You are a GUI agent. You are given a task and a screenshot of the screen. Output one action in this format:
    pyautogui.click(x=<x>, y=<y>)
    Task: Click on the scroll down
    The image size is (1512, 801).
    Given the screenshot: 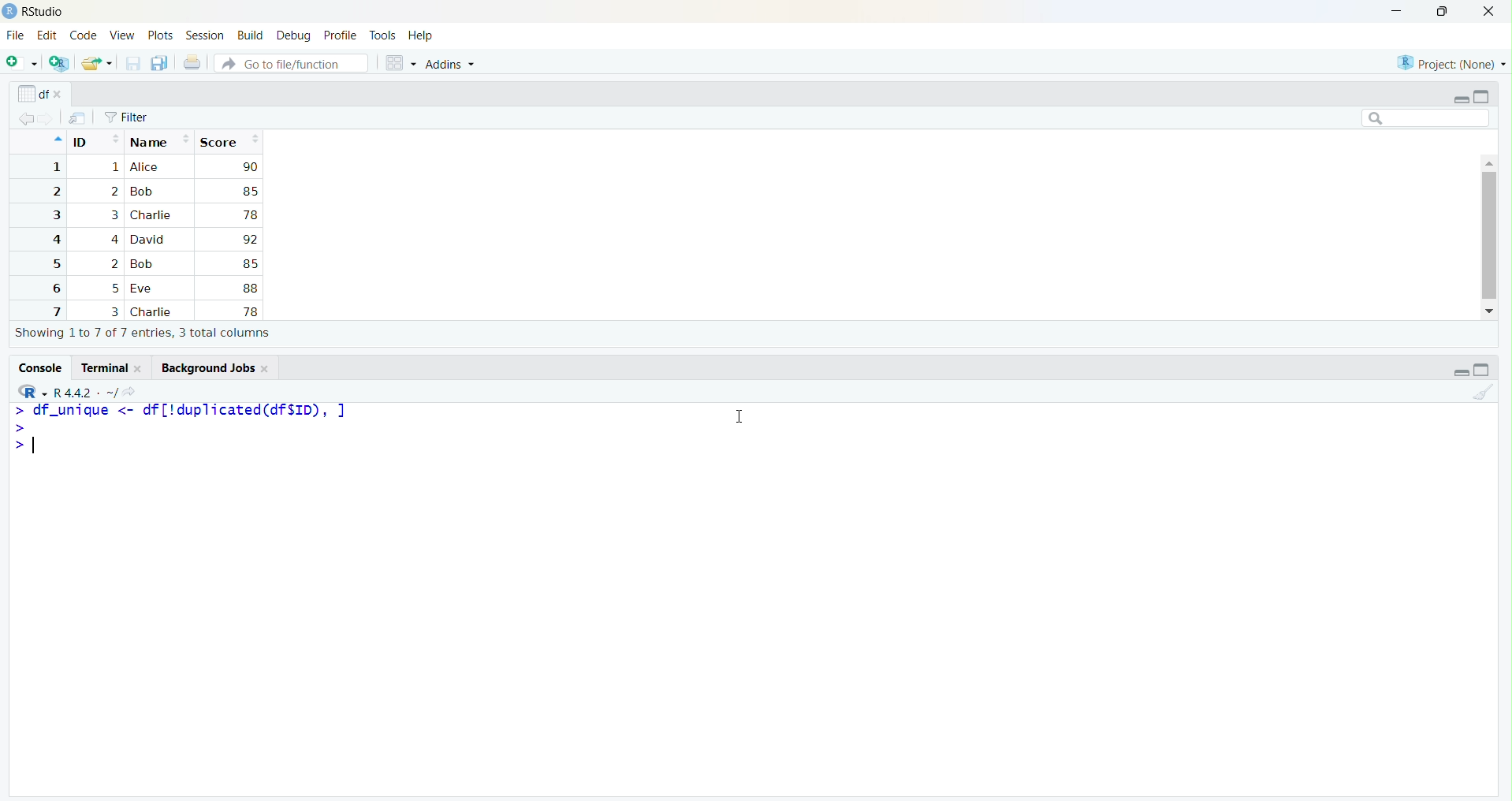 What is the action you would take?
    pyautogui.click(x=1491, y=311)
    